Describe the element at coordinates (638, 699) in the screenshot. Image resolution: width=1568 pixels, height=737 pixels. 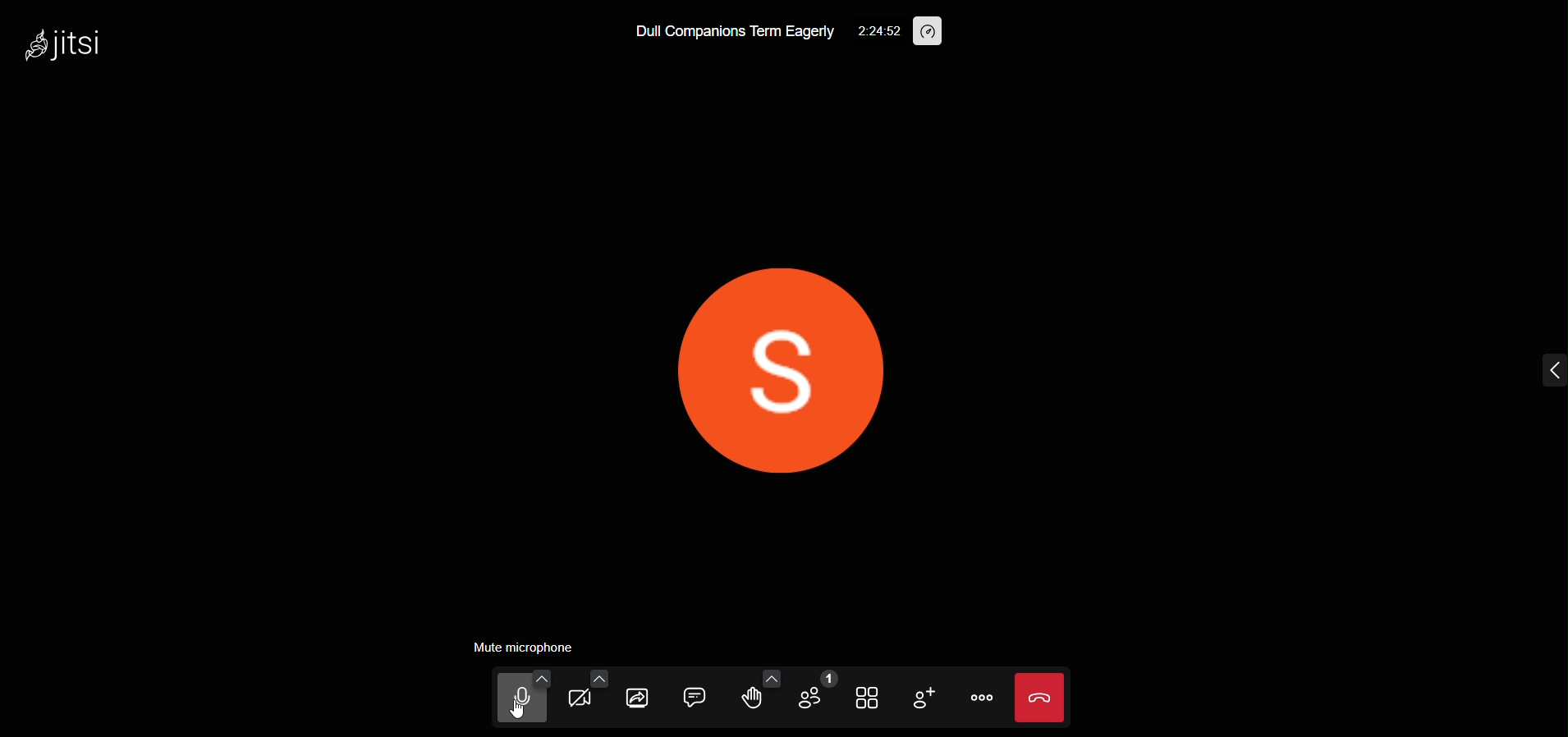
I see `screen share` at that location.